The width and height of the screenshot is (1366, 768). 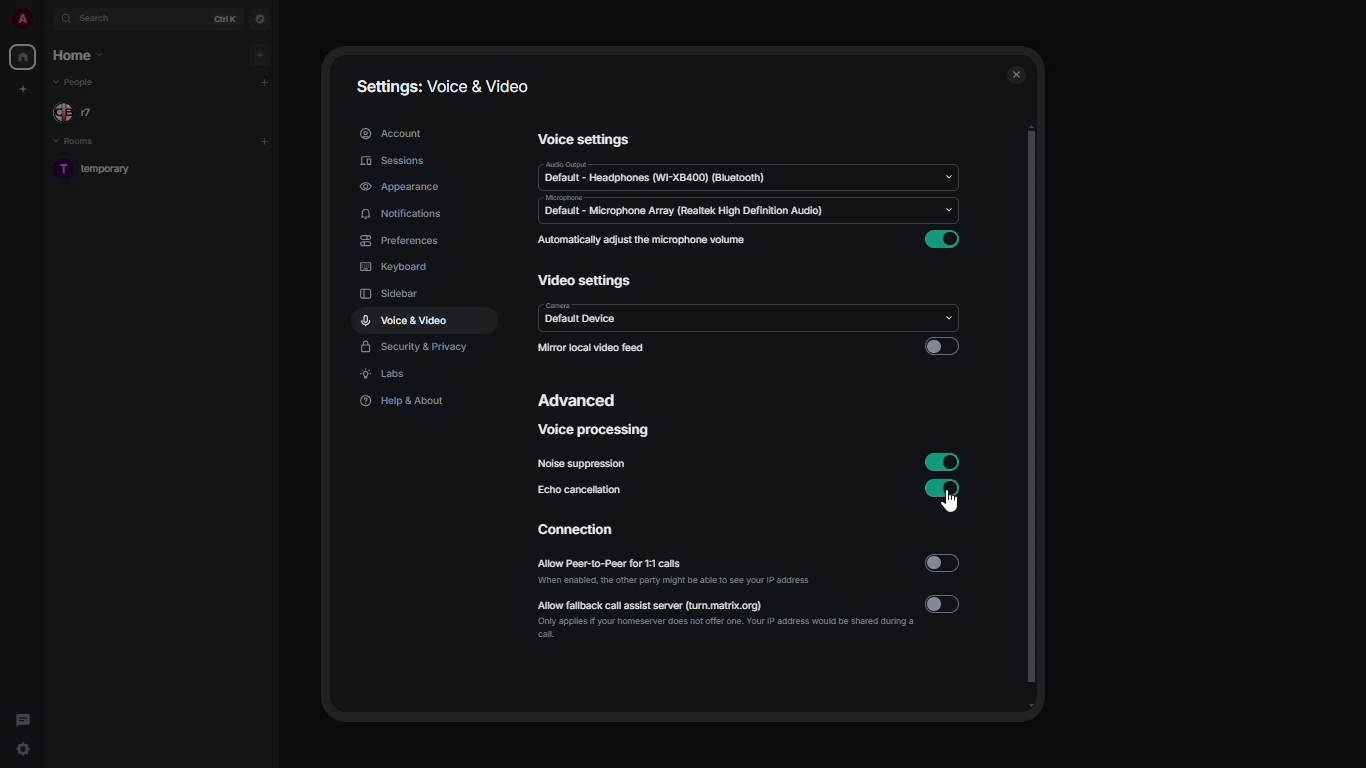 I want to click on add, so click(x=269, y=81).